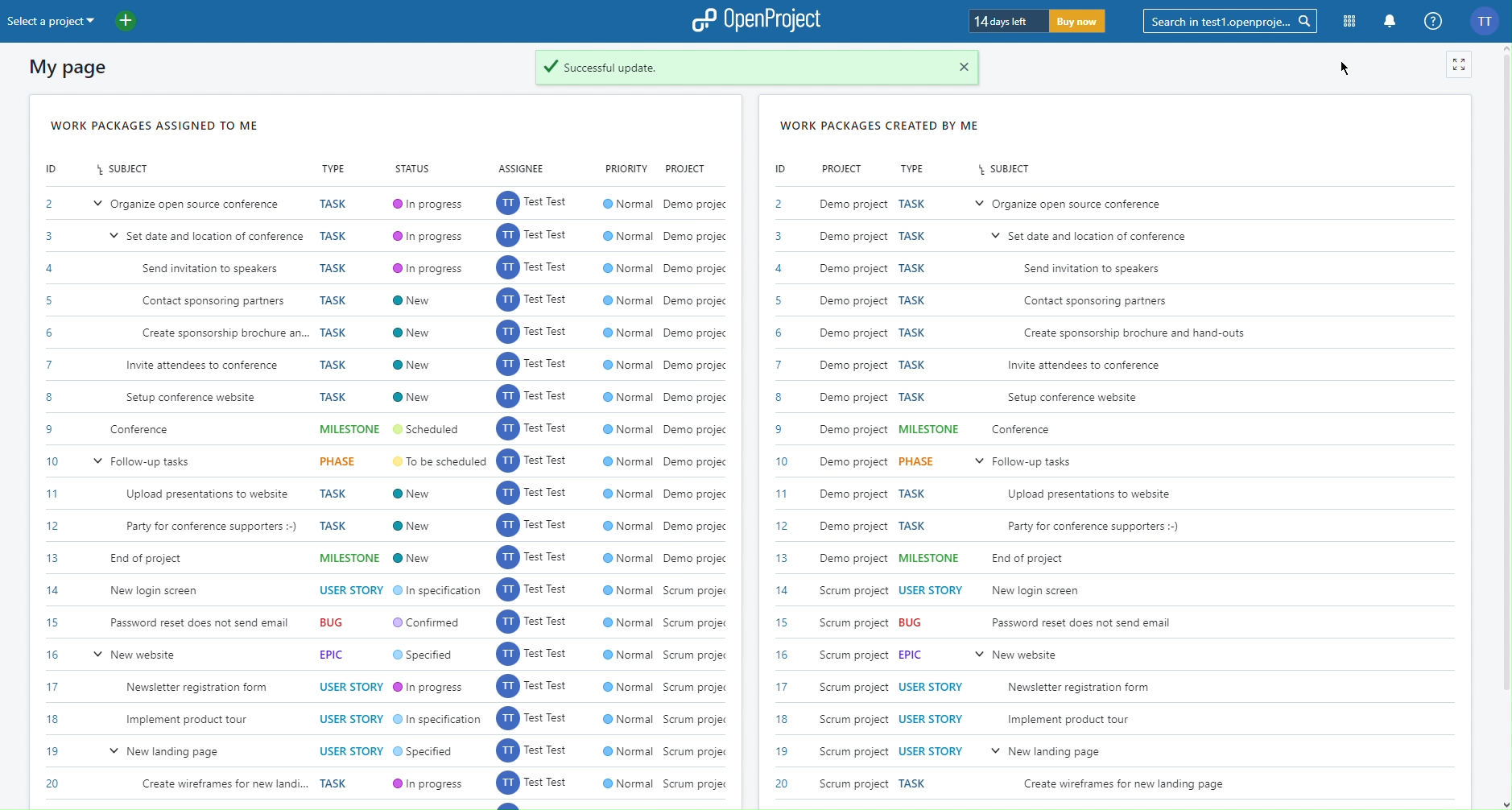  Describe the element at coordinates (780, 169) in the screenshot. I see `ID` at that location.